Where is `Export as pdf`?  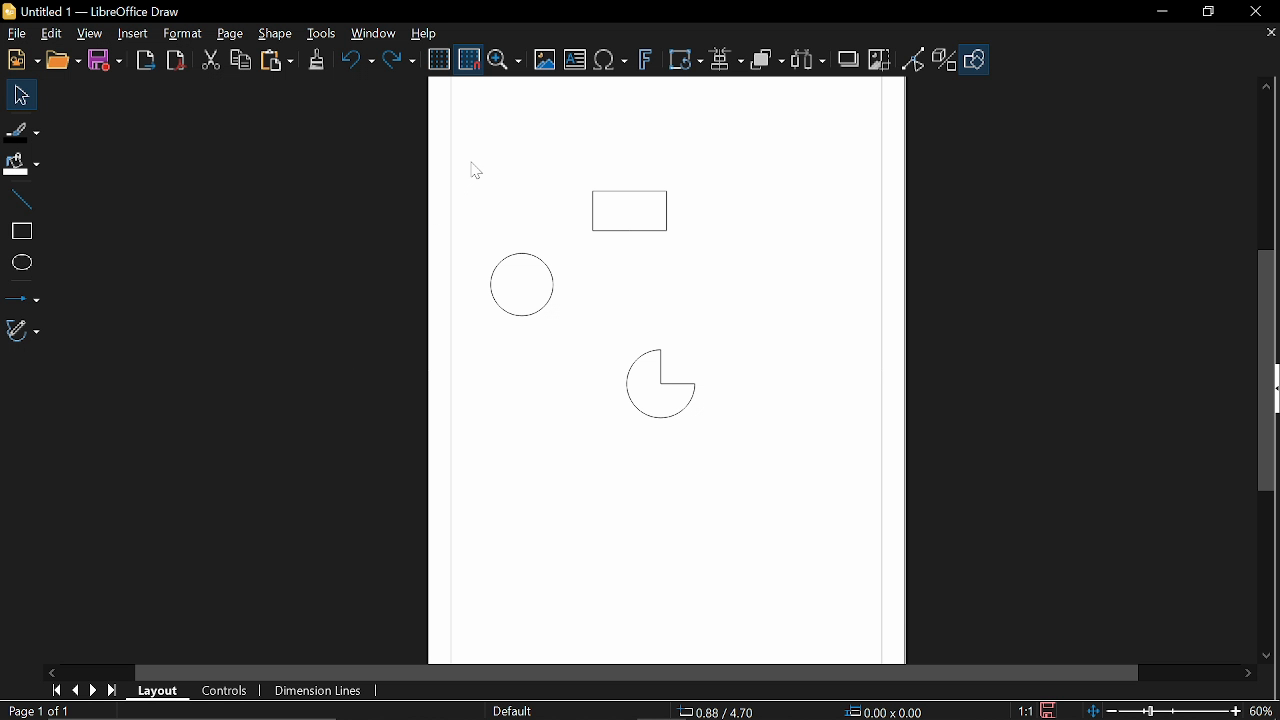
Export as pdf is located at coordinates (175, 61).